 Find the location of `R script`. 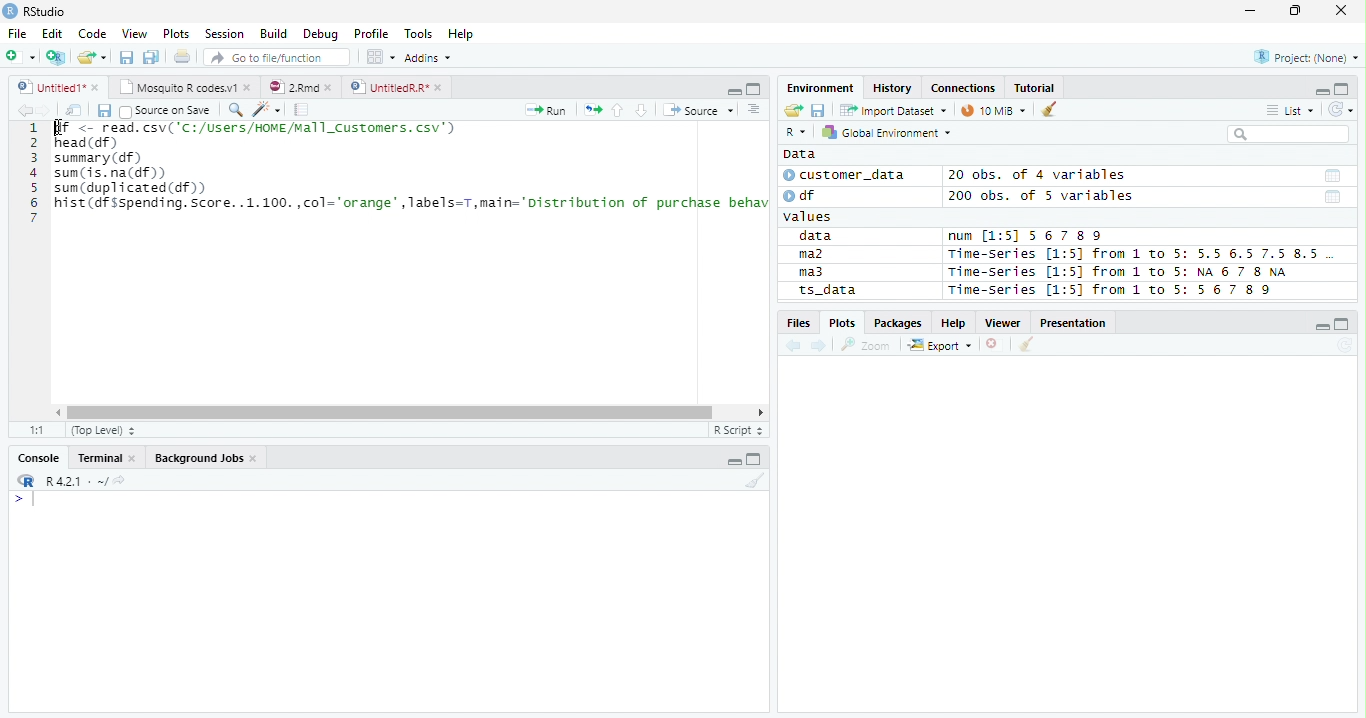

R script is located at coordinates (737, 430).